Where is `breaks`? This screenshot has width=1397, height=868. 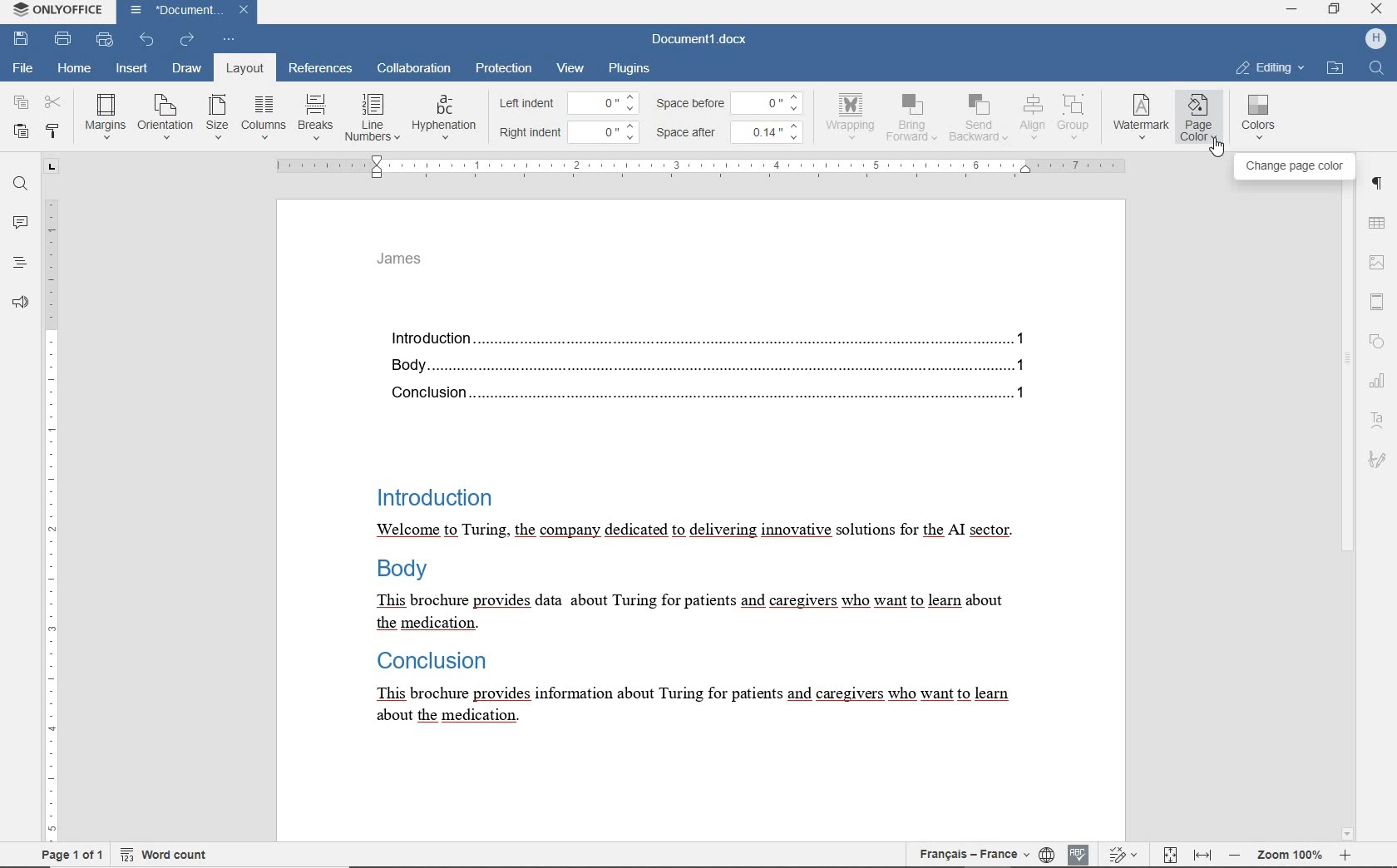 breaks is located at coordinates (315, 118).